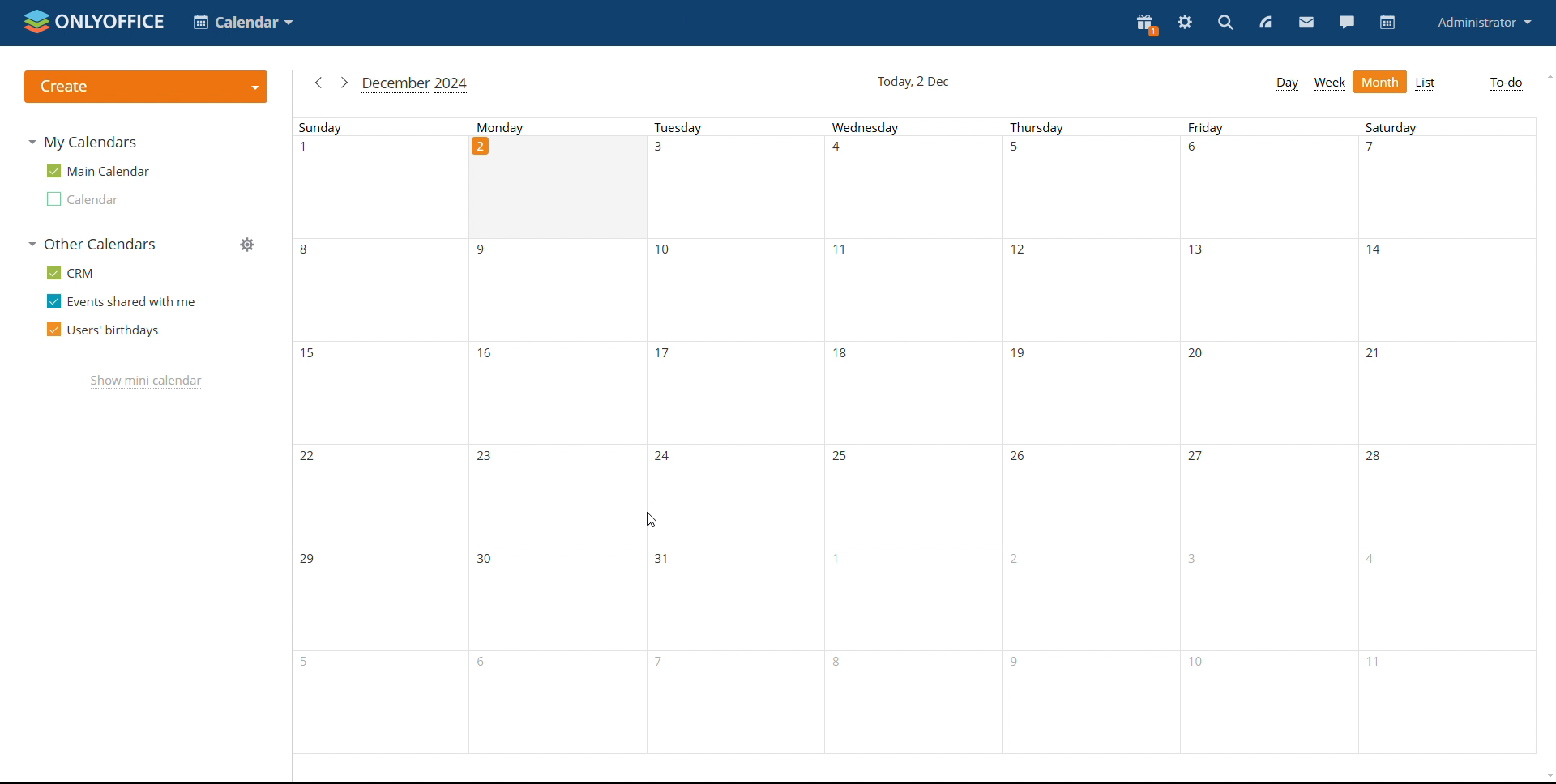  What do you see at coordinates (250, 173) in the screenshot?
I see `edit` at bounding box center [250, 173].